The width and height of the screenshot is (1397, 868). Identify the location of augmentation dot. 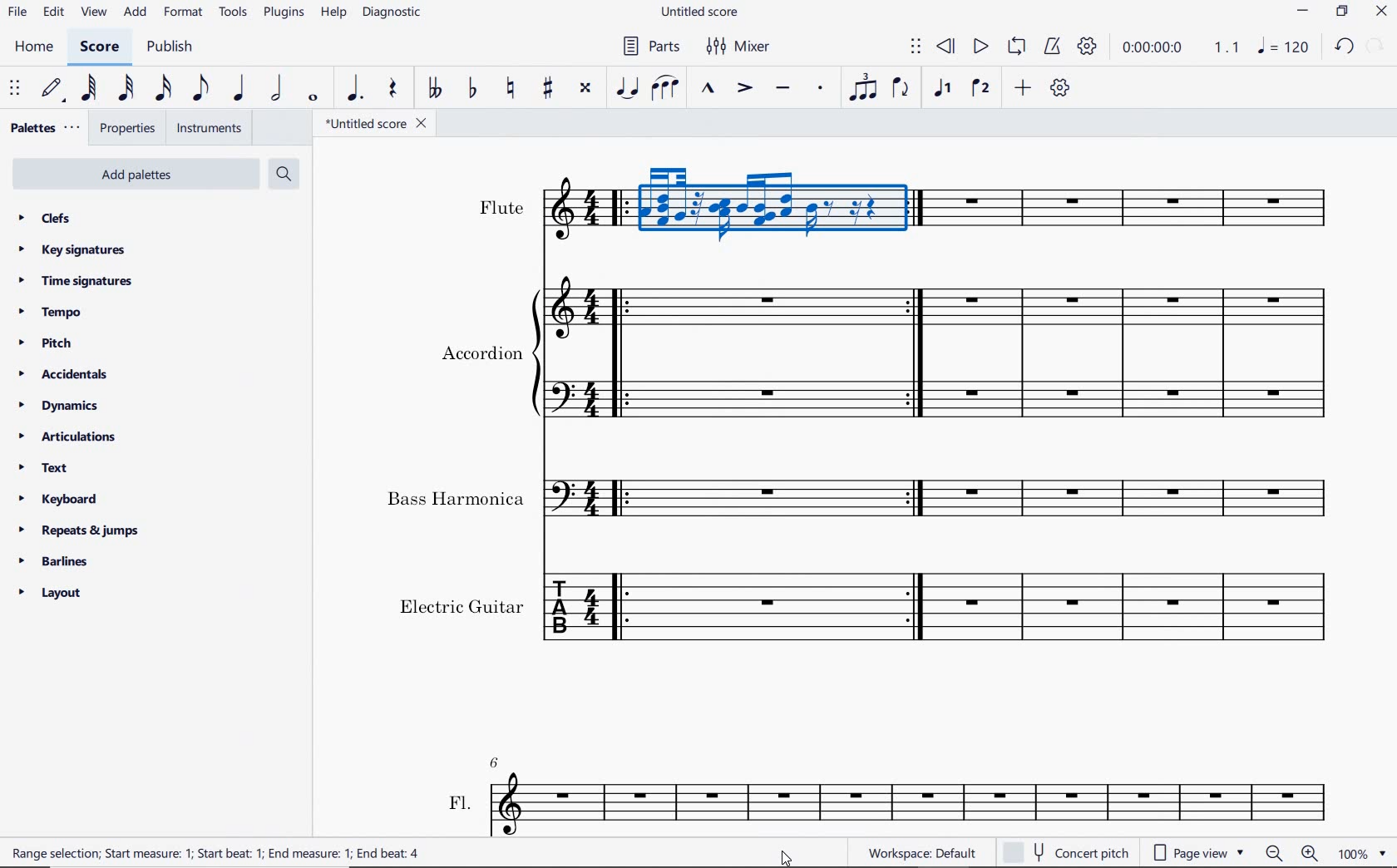
(353, 89).